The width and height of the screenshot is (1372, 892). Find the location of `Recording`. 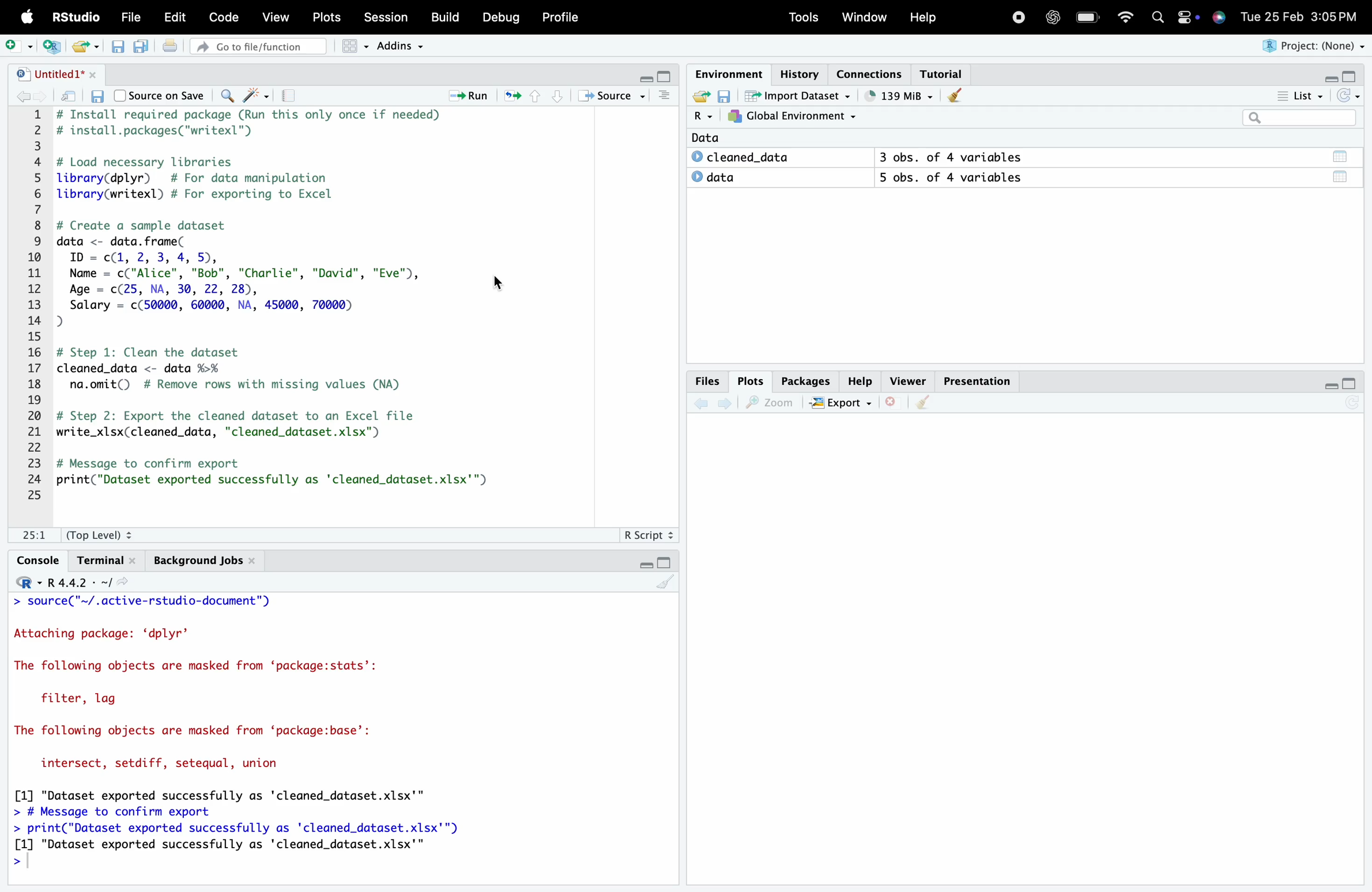

Recording is located at coordinates (1018, 18).